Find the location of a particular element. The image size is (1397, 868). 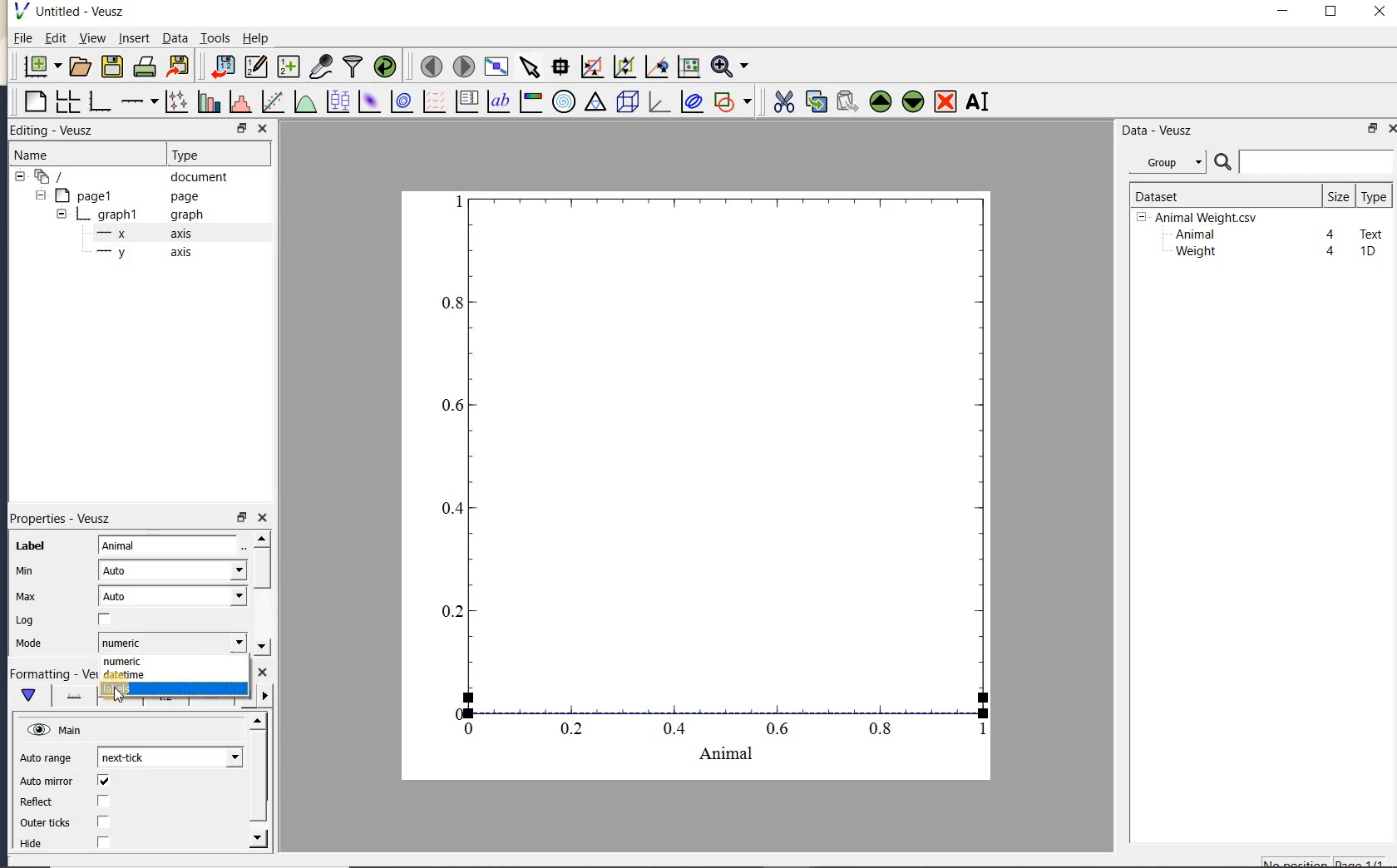

Auto mirror is located at coordinates (44, 782).